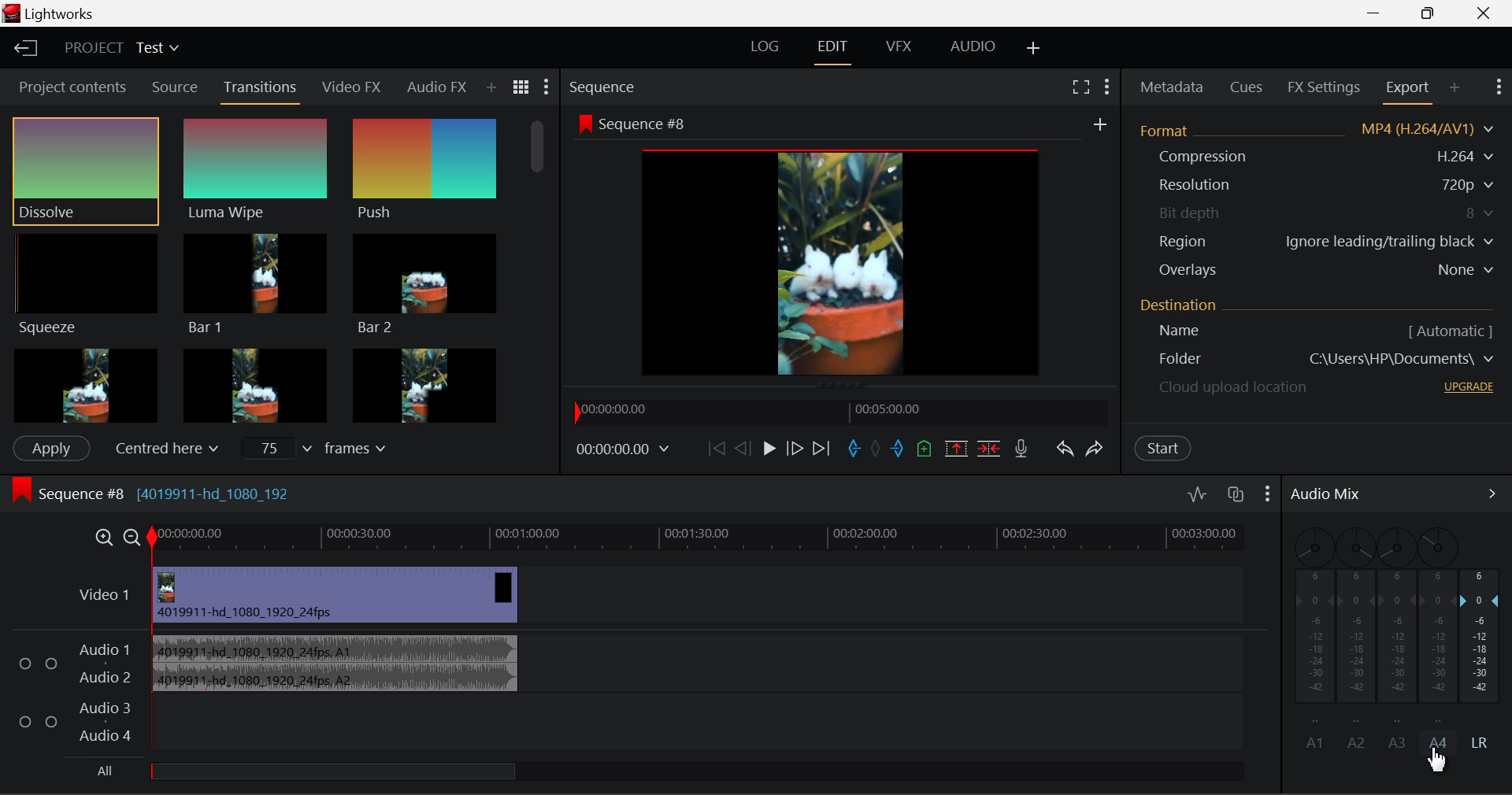 This screenshot has height=795, width=1512. I want to click on VFX Layout, so click(901, 45).